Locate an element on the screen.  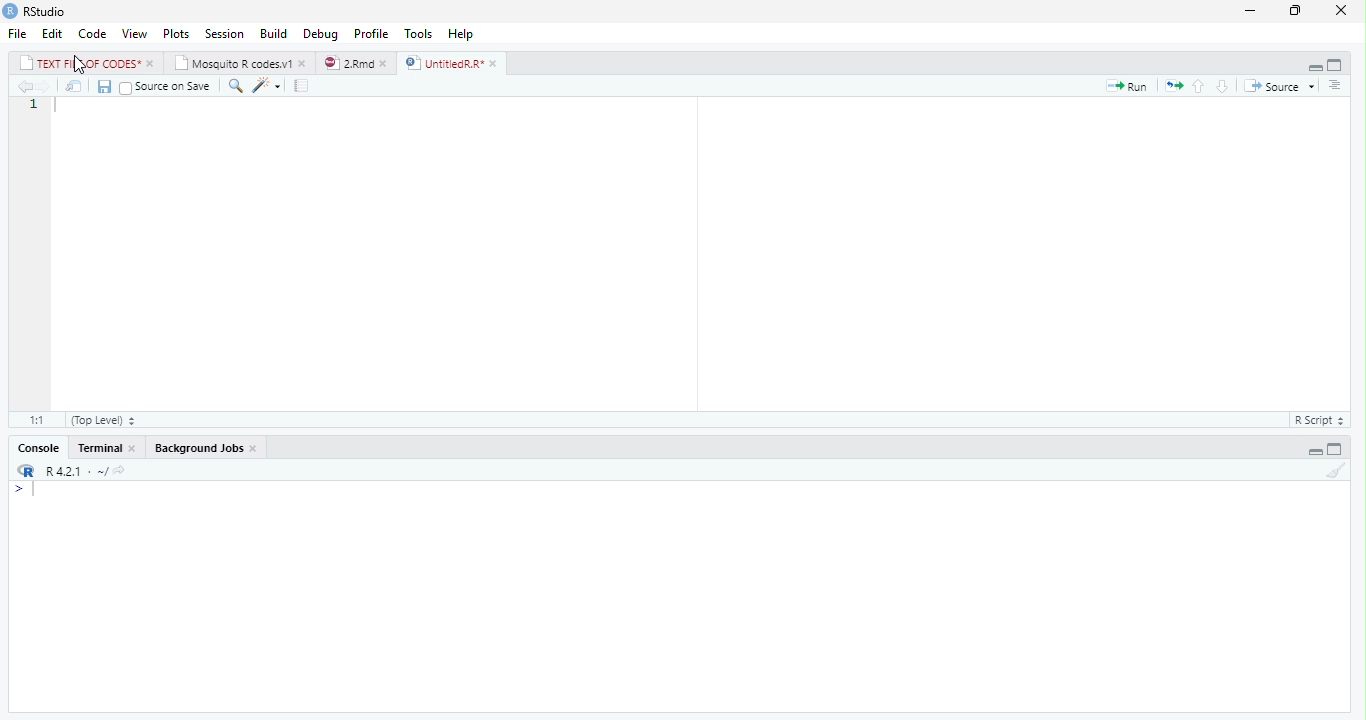
Go to next section is located at coordinates (1223, 87).